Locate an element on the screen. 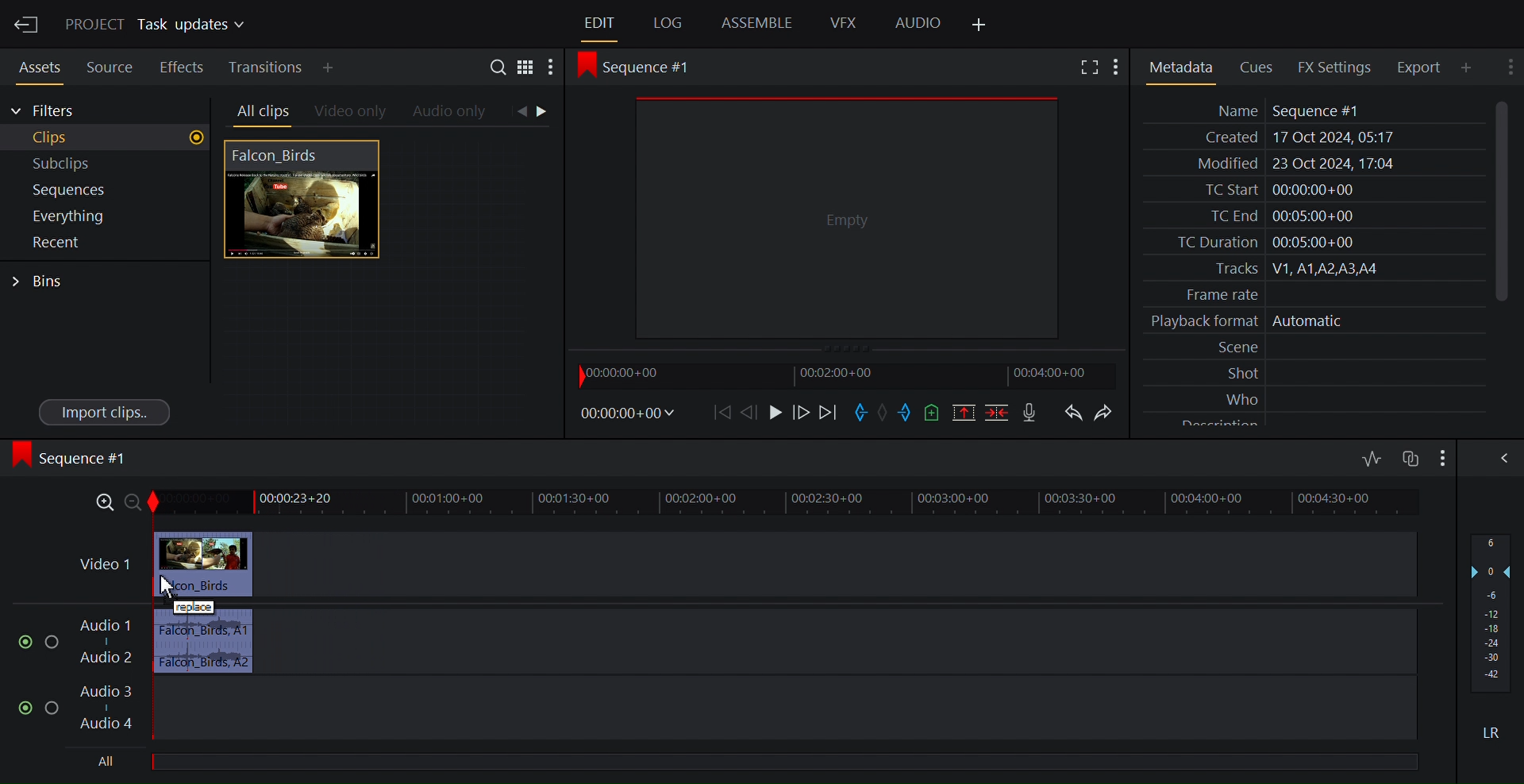  Search is located at coordinates (501, 69).